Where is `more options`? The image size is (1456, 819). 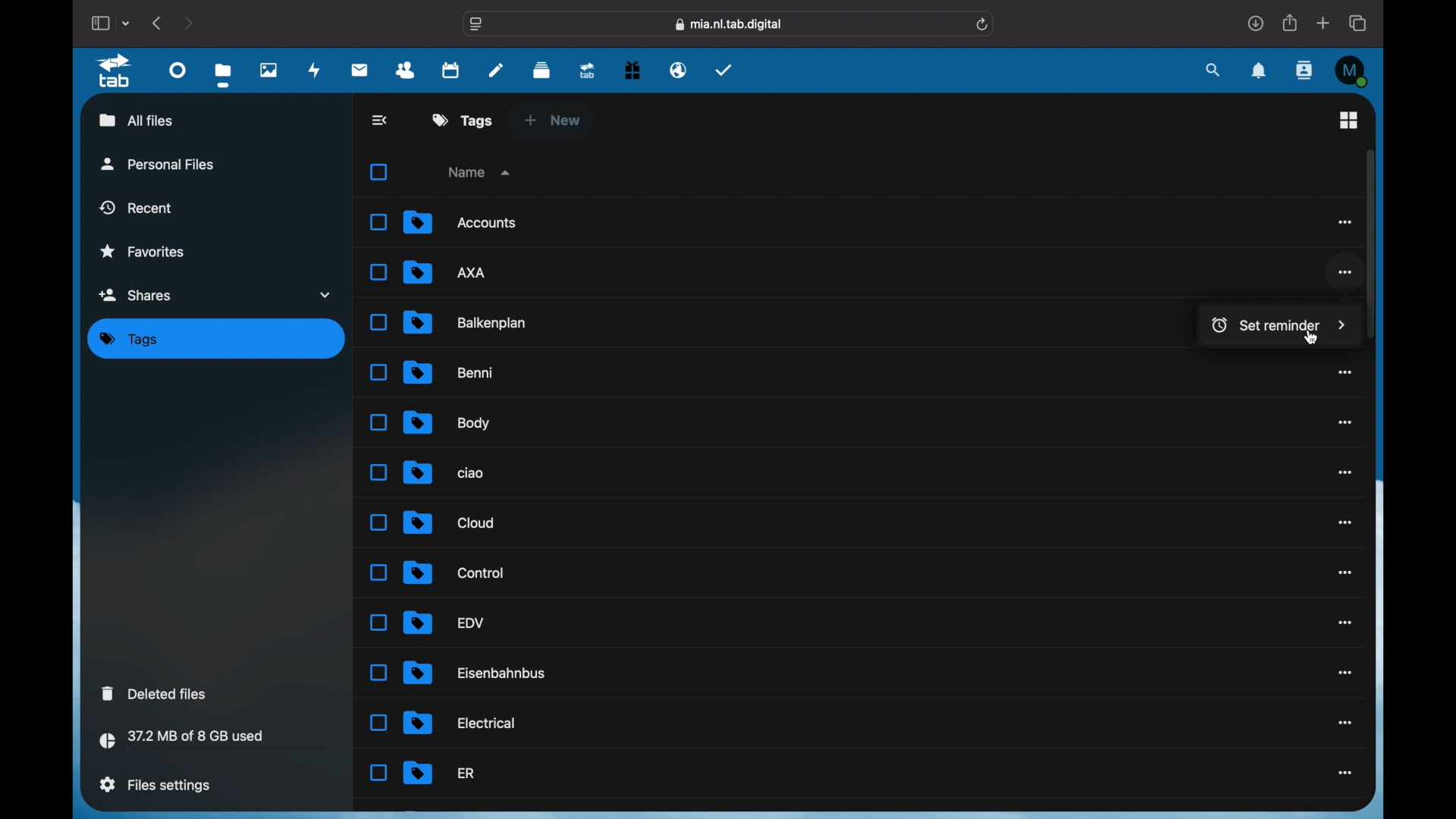 more options is located at coordinates (1346, 723).